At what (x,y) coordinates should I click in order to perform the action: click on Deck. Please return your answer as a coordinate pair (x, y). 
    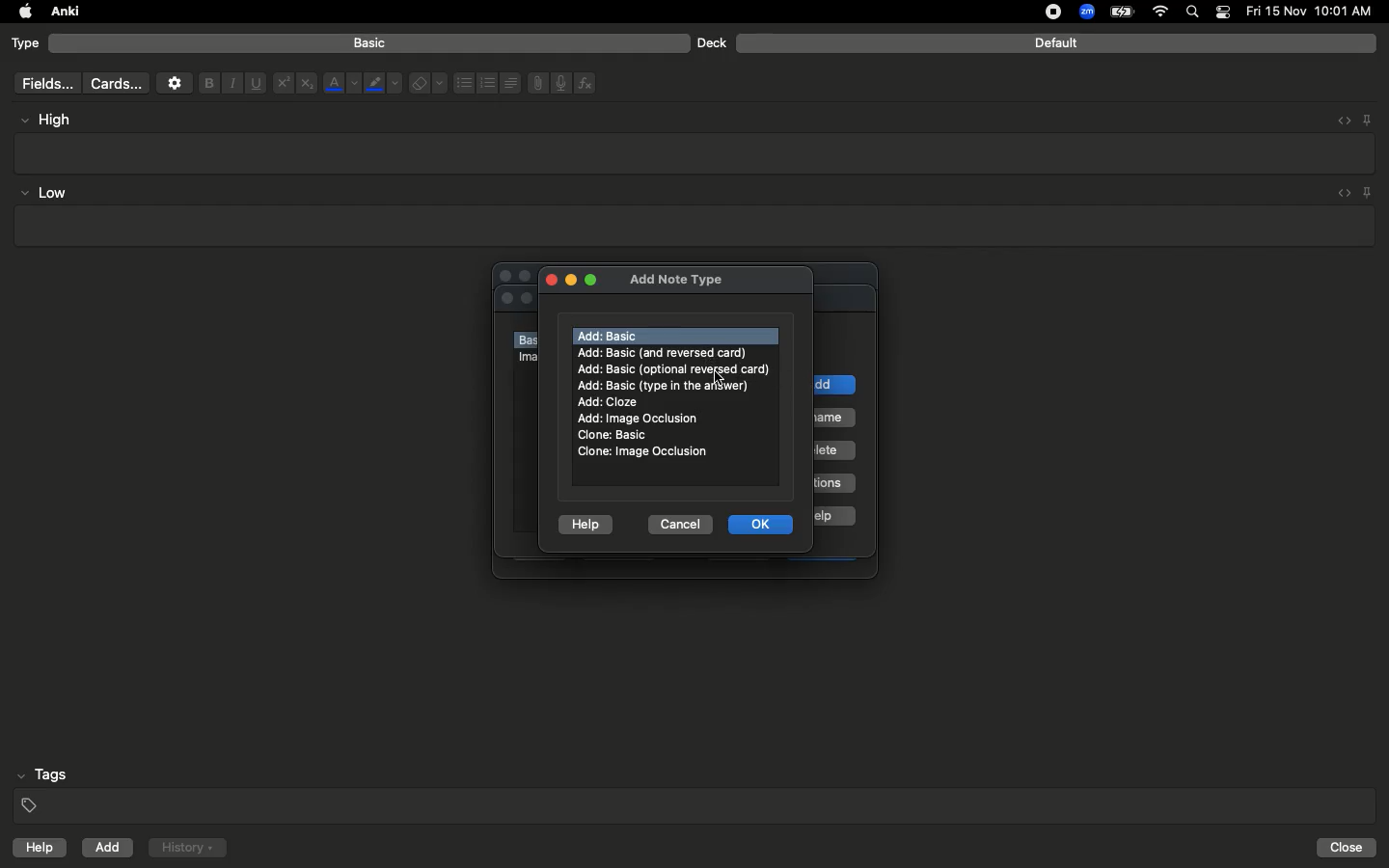
    Looking at the image, I should click on (711, 42).